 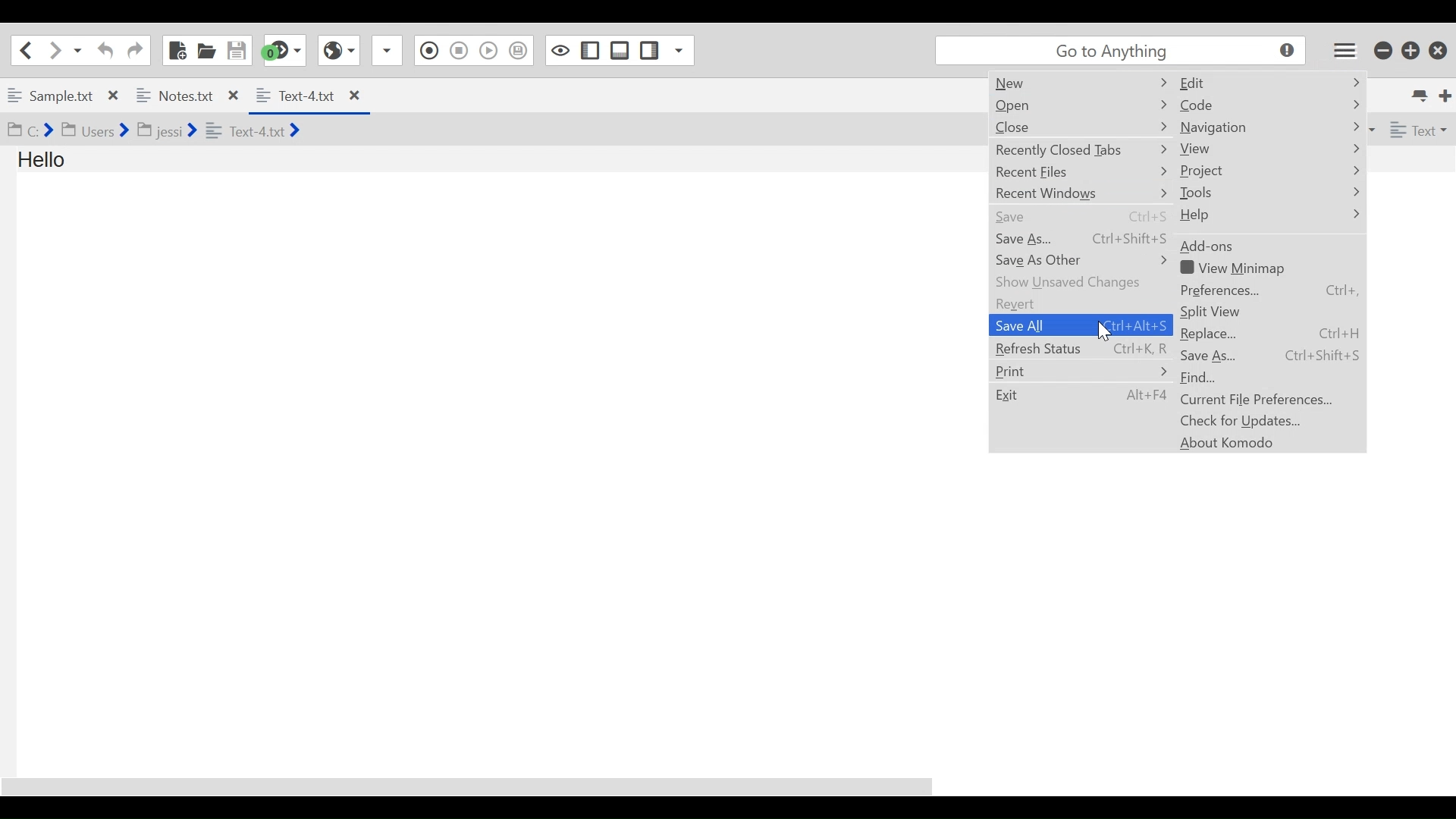 I want to click on Recent location, so click(x=76, y=51).